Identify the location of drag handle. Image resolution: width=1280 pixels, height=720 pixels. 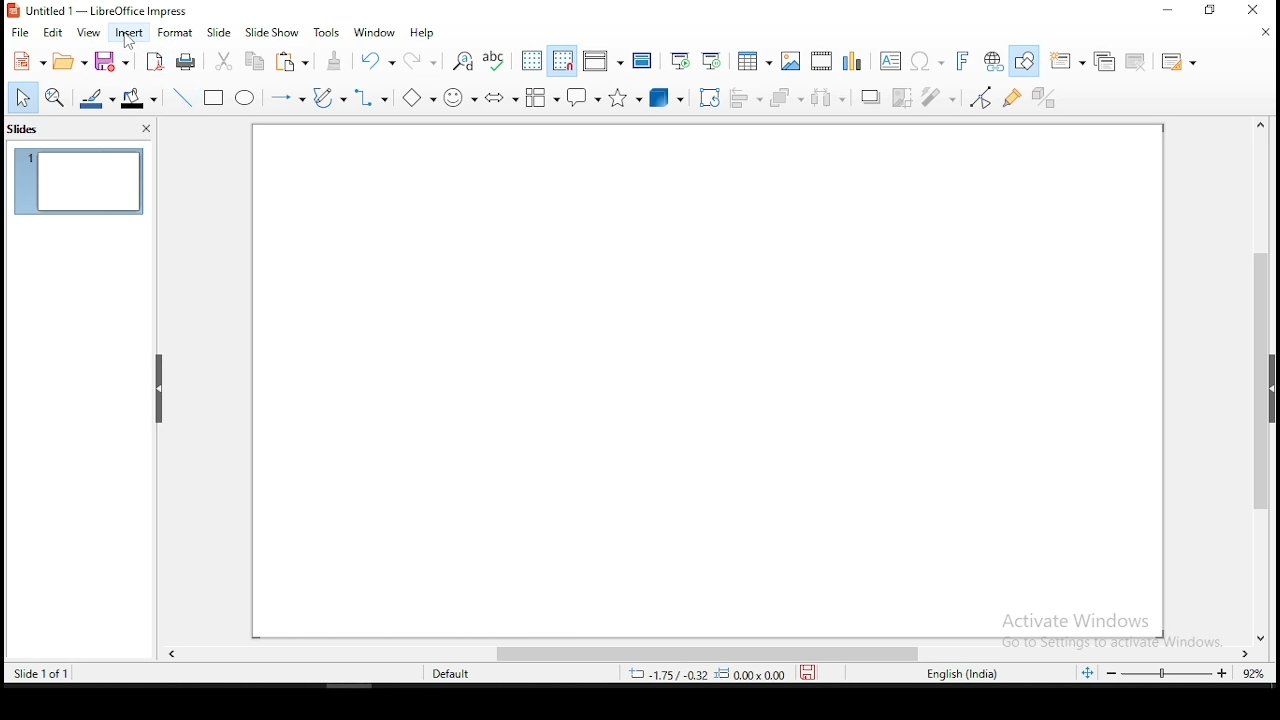
(160, 391).